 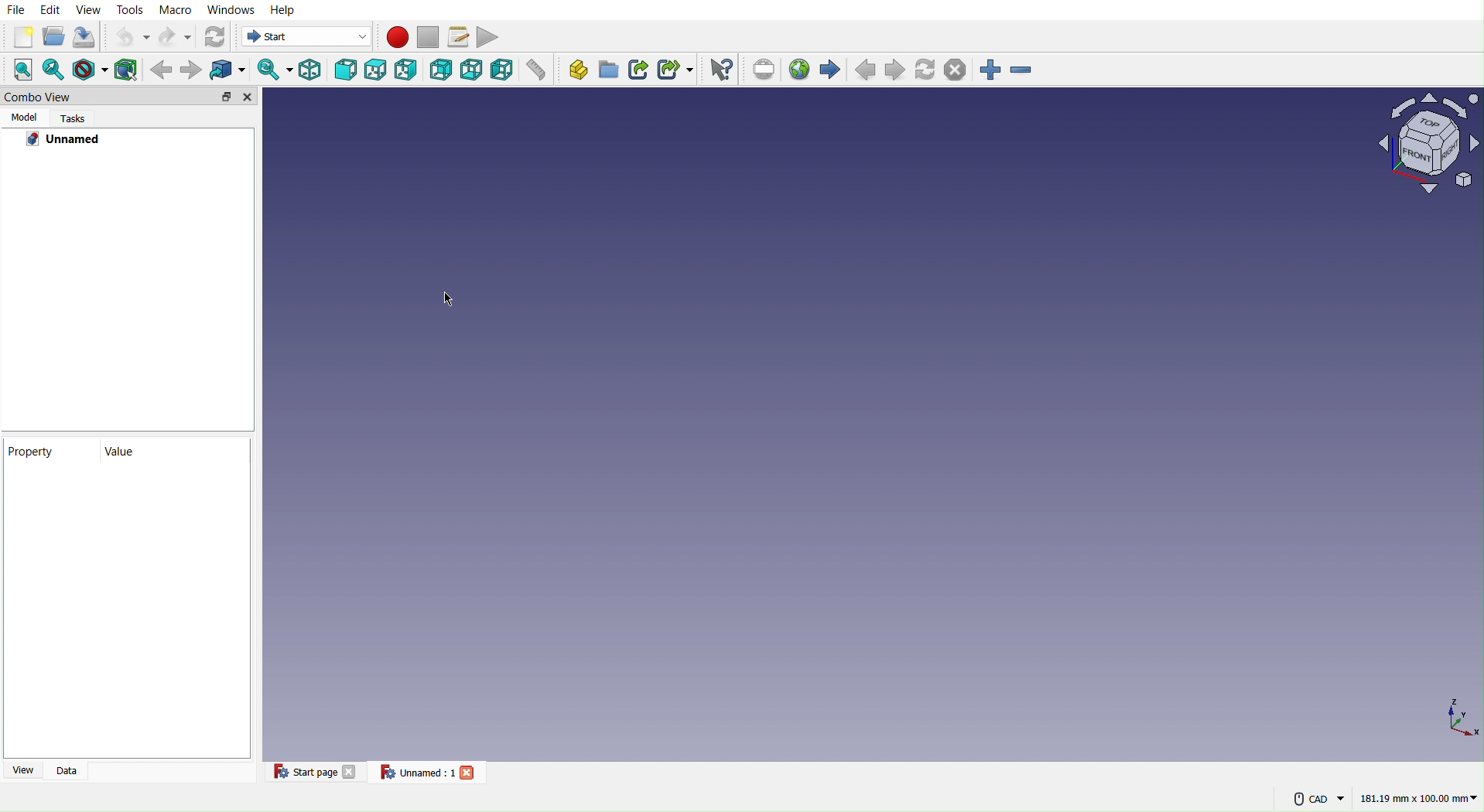 What do you see at coordinates (720, 70) in the screenshot?
I see `What's This` at bounding box center [720, 70].